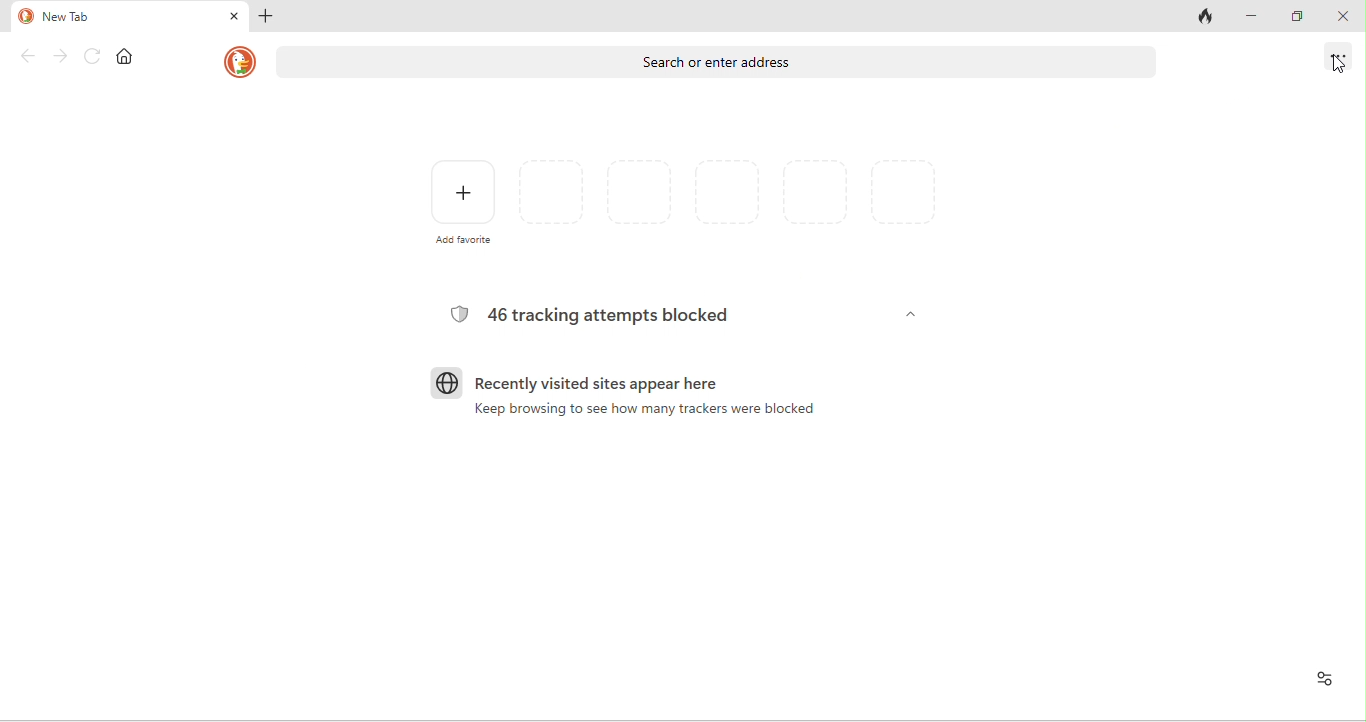 The height and width of the screenshot is (722, 1366). Describe the element at coordinates (594, 315) in the screenshot. I see `46 tracking attempts blocked` at that location.